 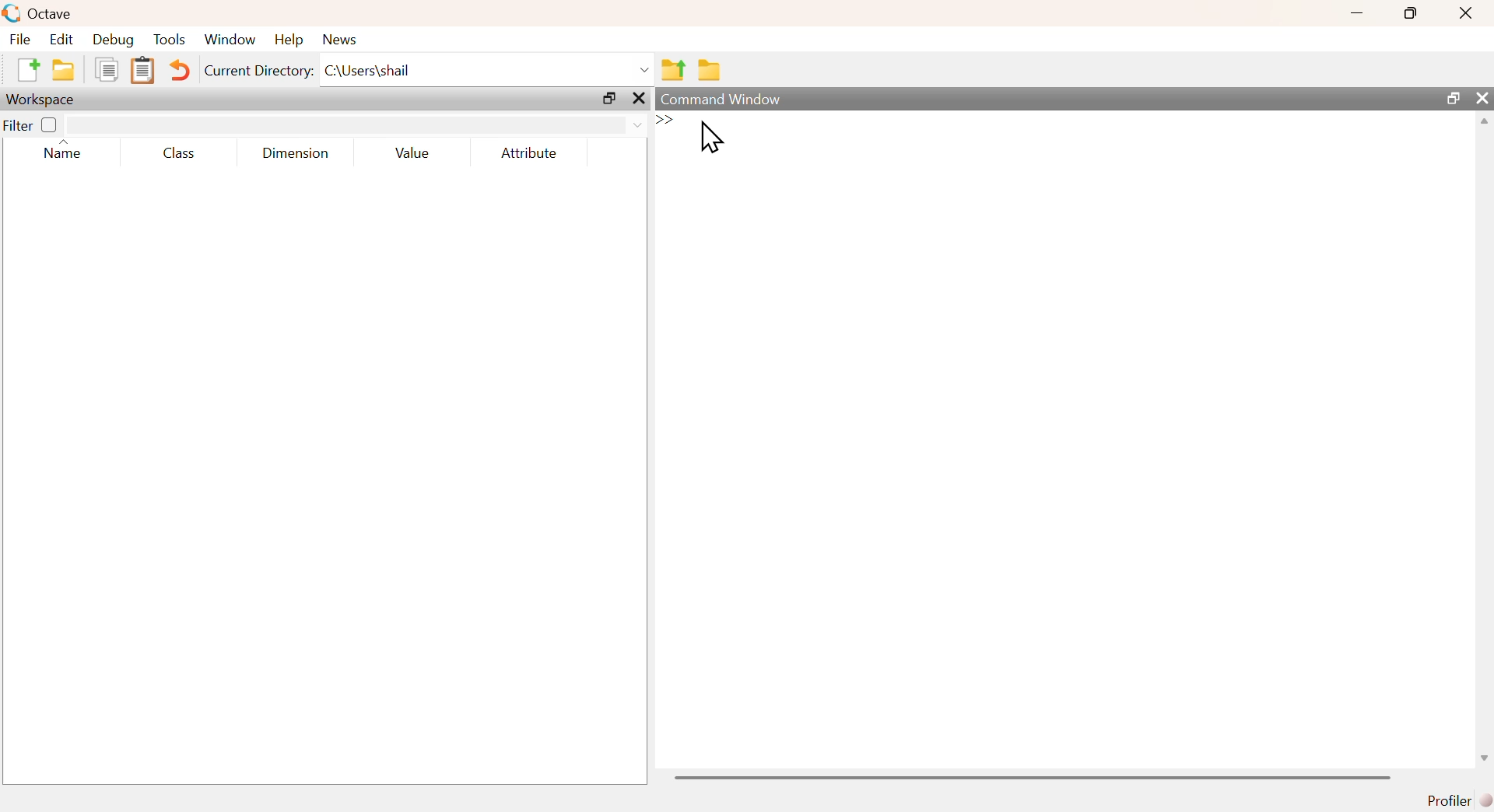 I want to click on copy, so click(x=108, y=71).